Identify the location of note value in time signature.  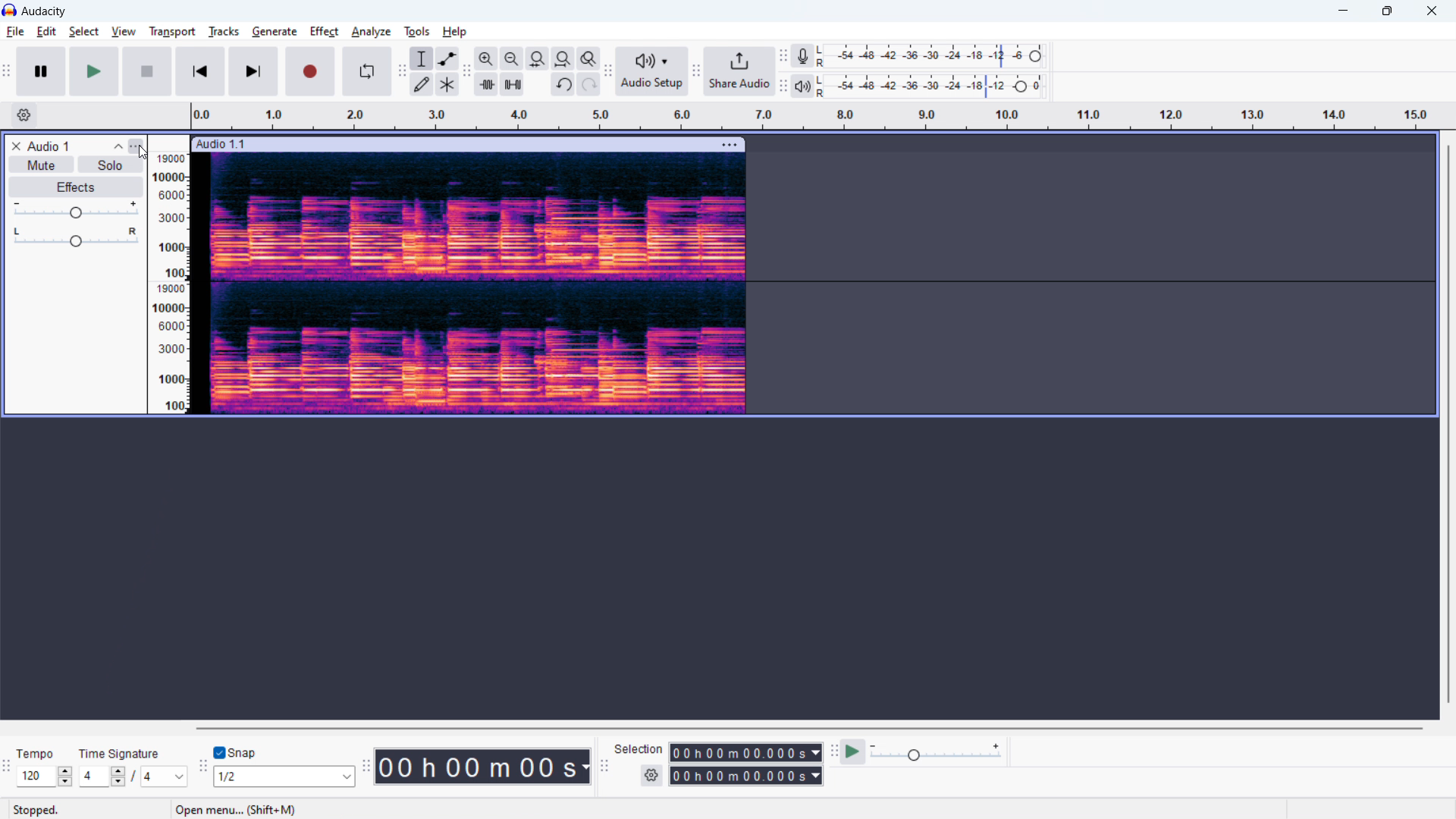
(168, 778).